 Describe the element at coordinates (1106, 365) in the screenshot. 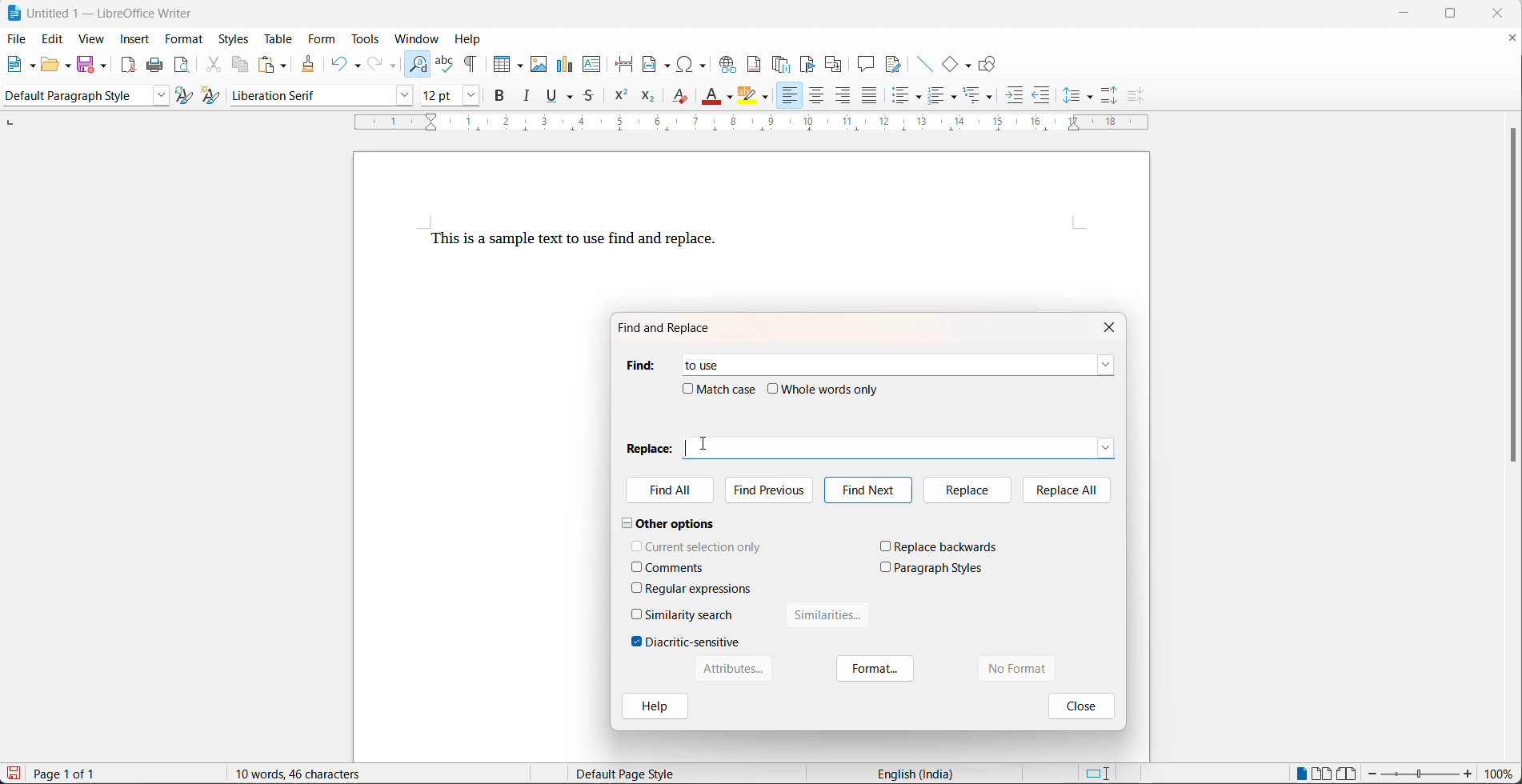

I see `find dropdown button` at that location.